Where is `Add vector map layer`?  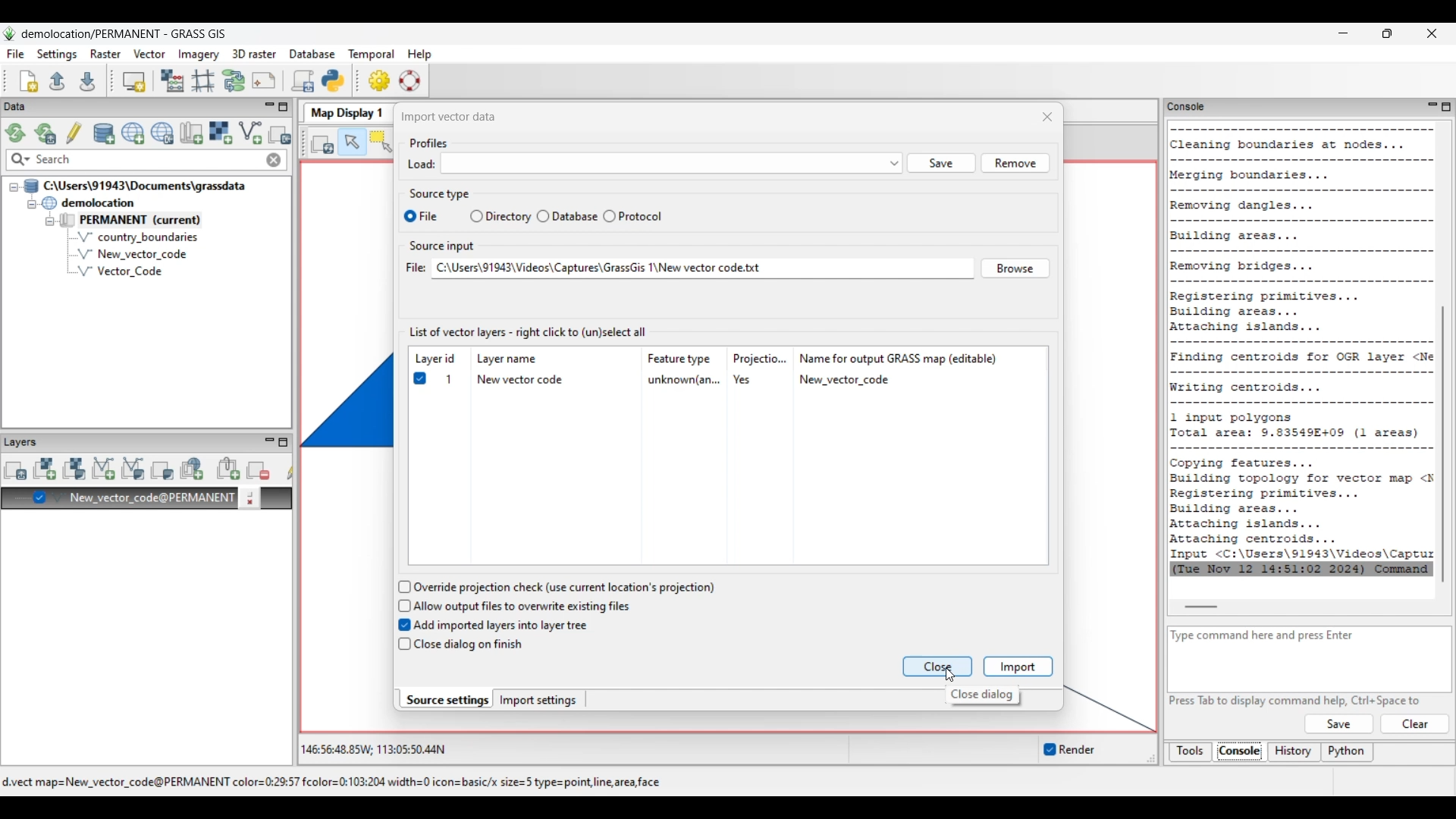
Add vector map layer is located at coordinates (104, 469).